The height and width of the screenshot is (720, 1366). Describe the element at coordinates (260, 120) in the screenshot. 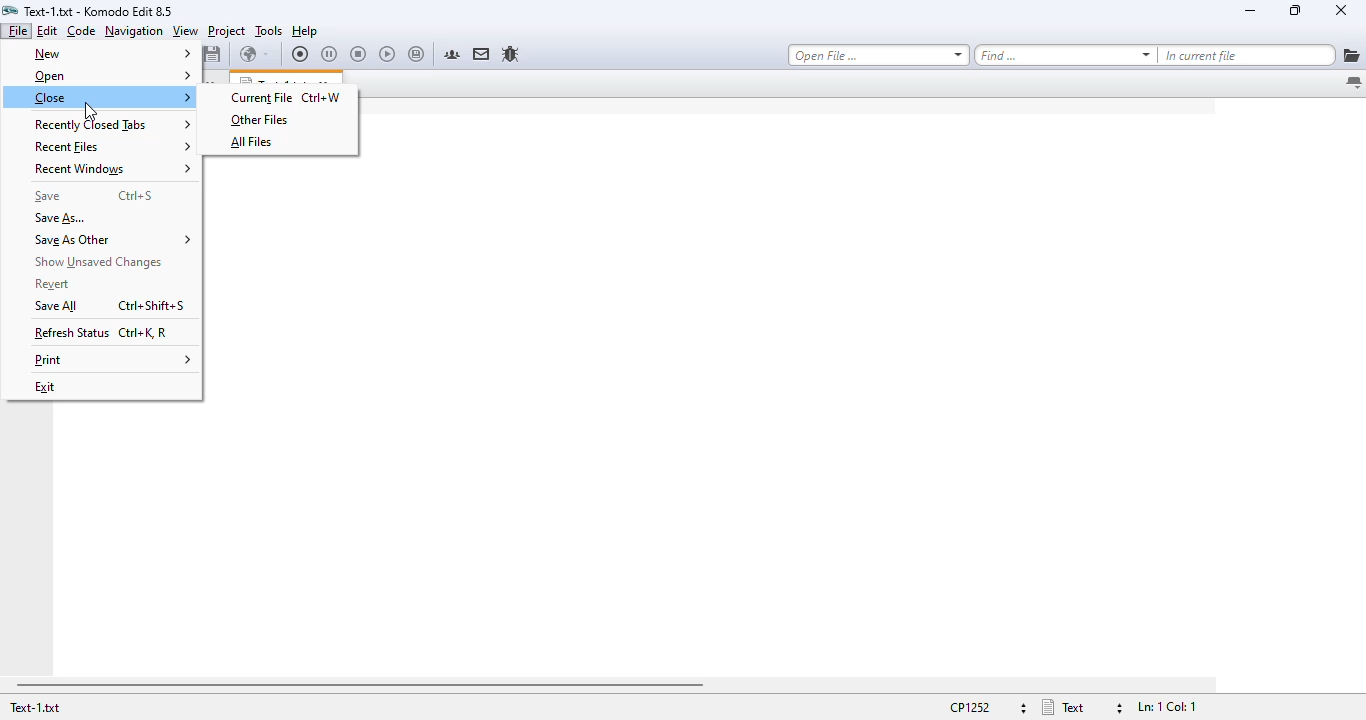

I see `other files` at that location.